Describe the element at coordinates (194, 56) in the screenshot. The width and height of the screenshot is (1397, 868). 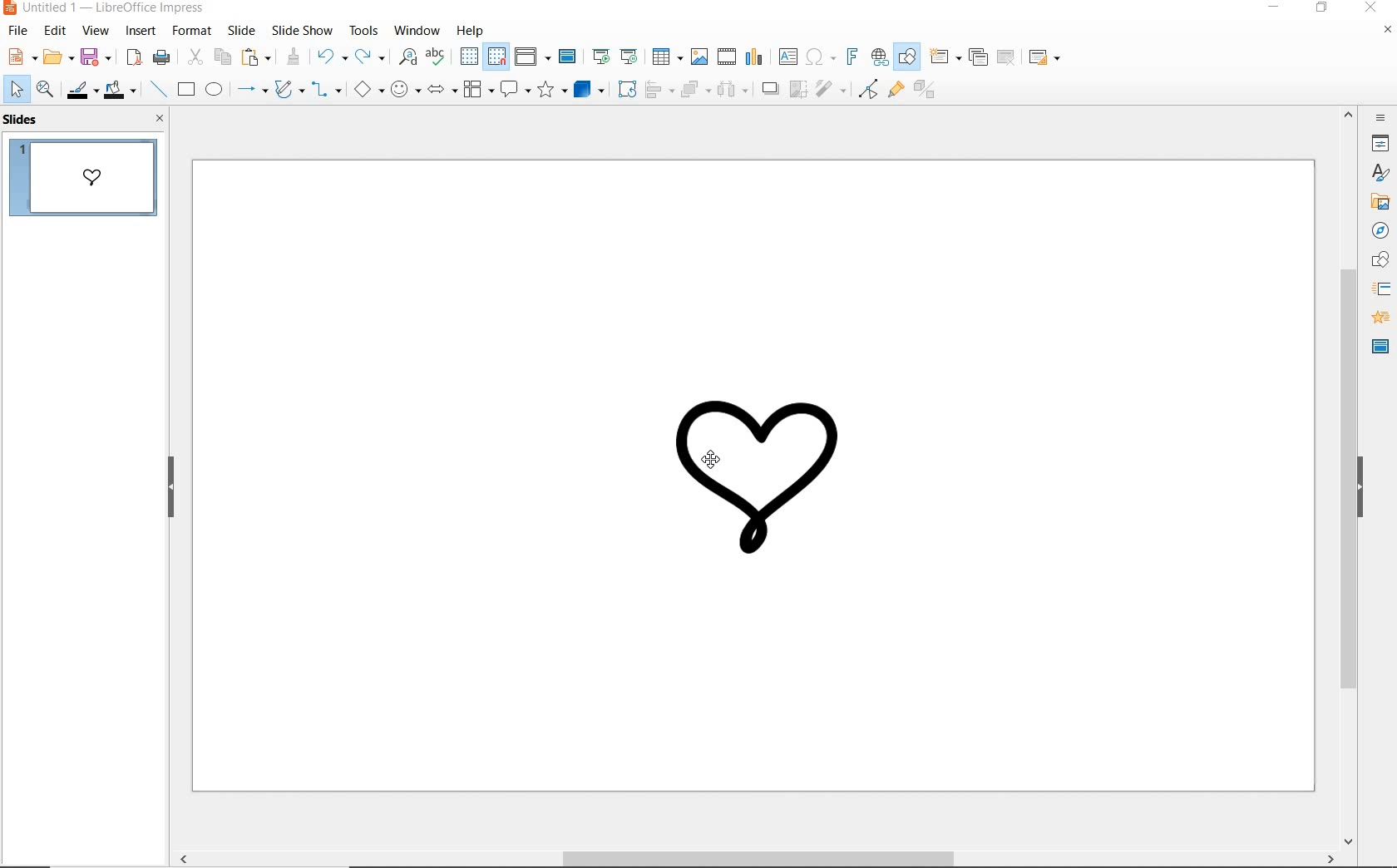
I see `cut` at that location.